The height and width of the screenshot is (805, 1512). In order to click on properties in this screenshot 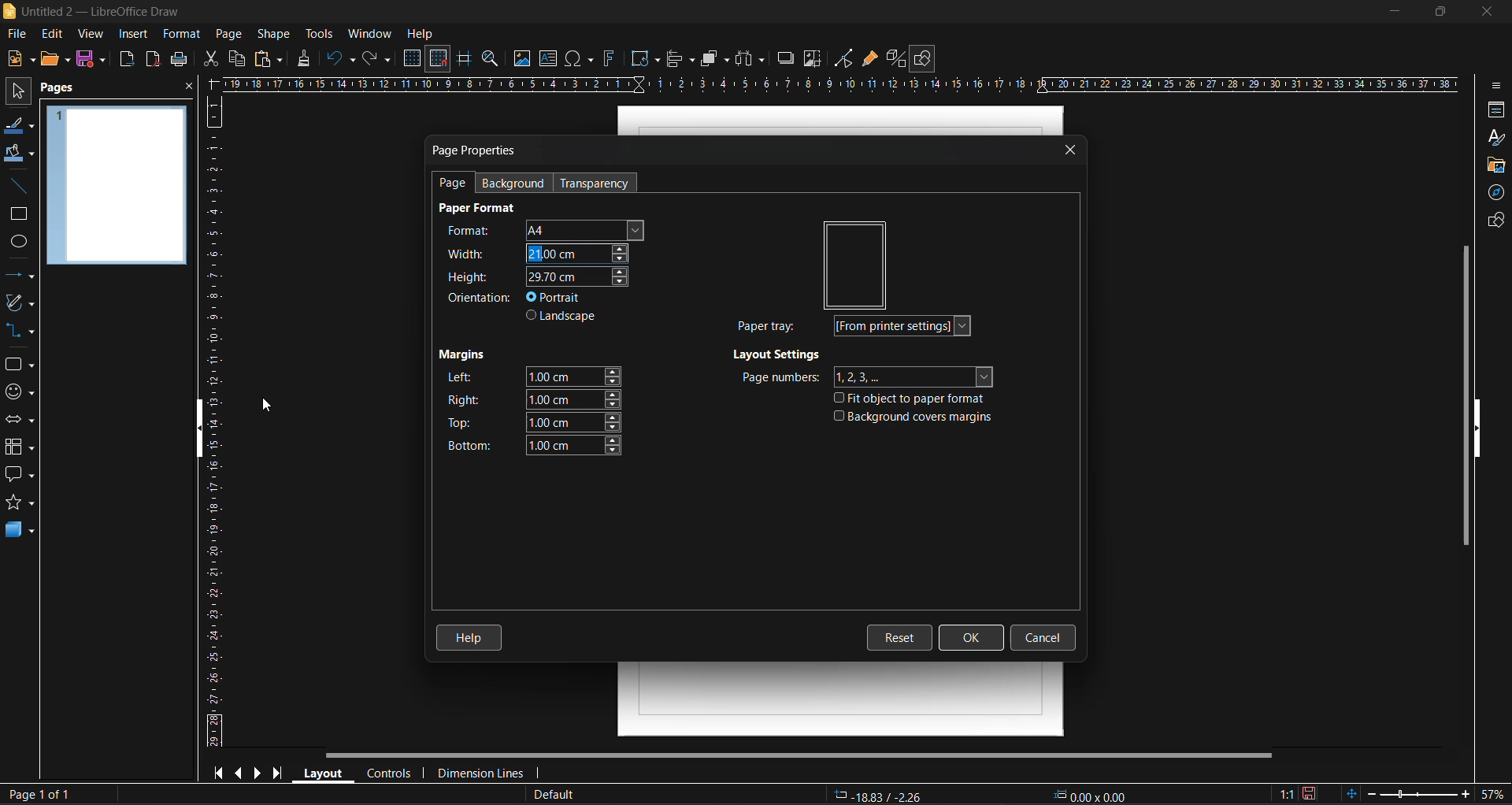, I will do `click(1495, 109)`.